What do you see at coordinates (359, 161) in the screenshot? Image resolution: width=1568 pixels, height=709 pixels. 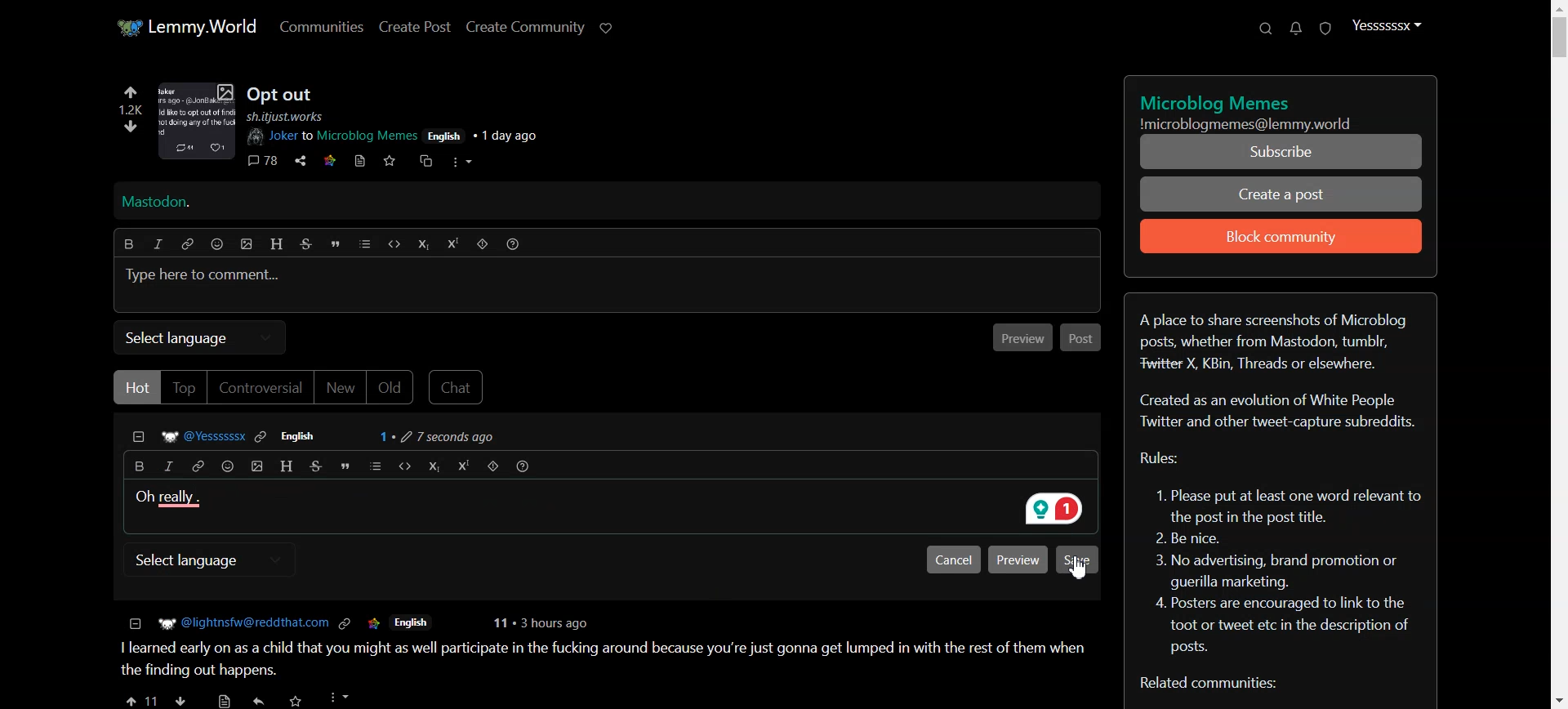 I see `book mark` at bounding box center [359, 161].